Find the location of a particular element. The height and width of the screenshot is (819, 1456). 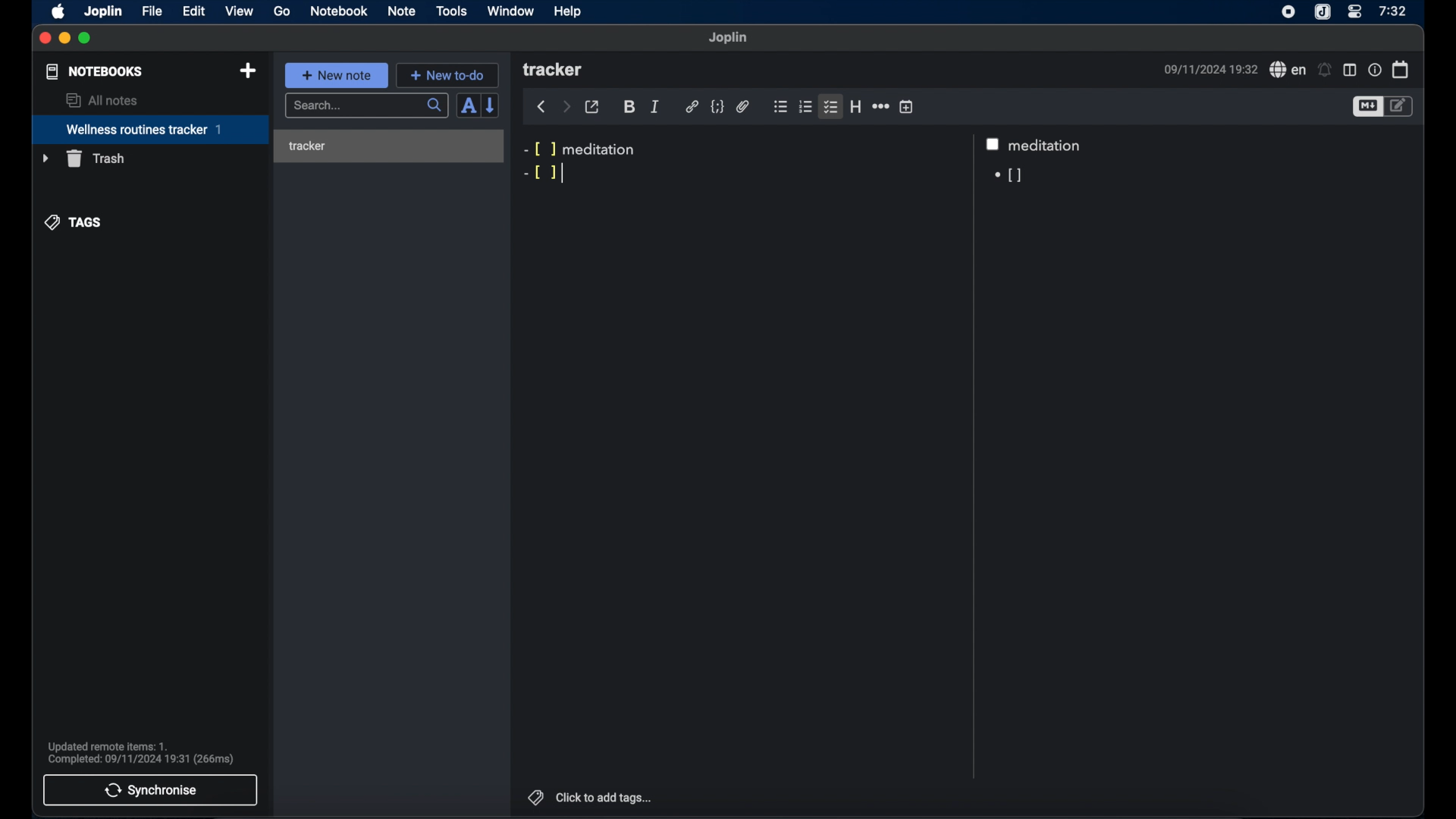

tracker is located at coordinates (554, 71).